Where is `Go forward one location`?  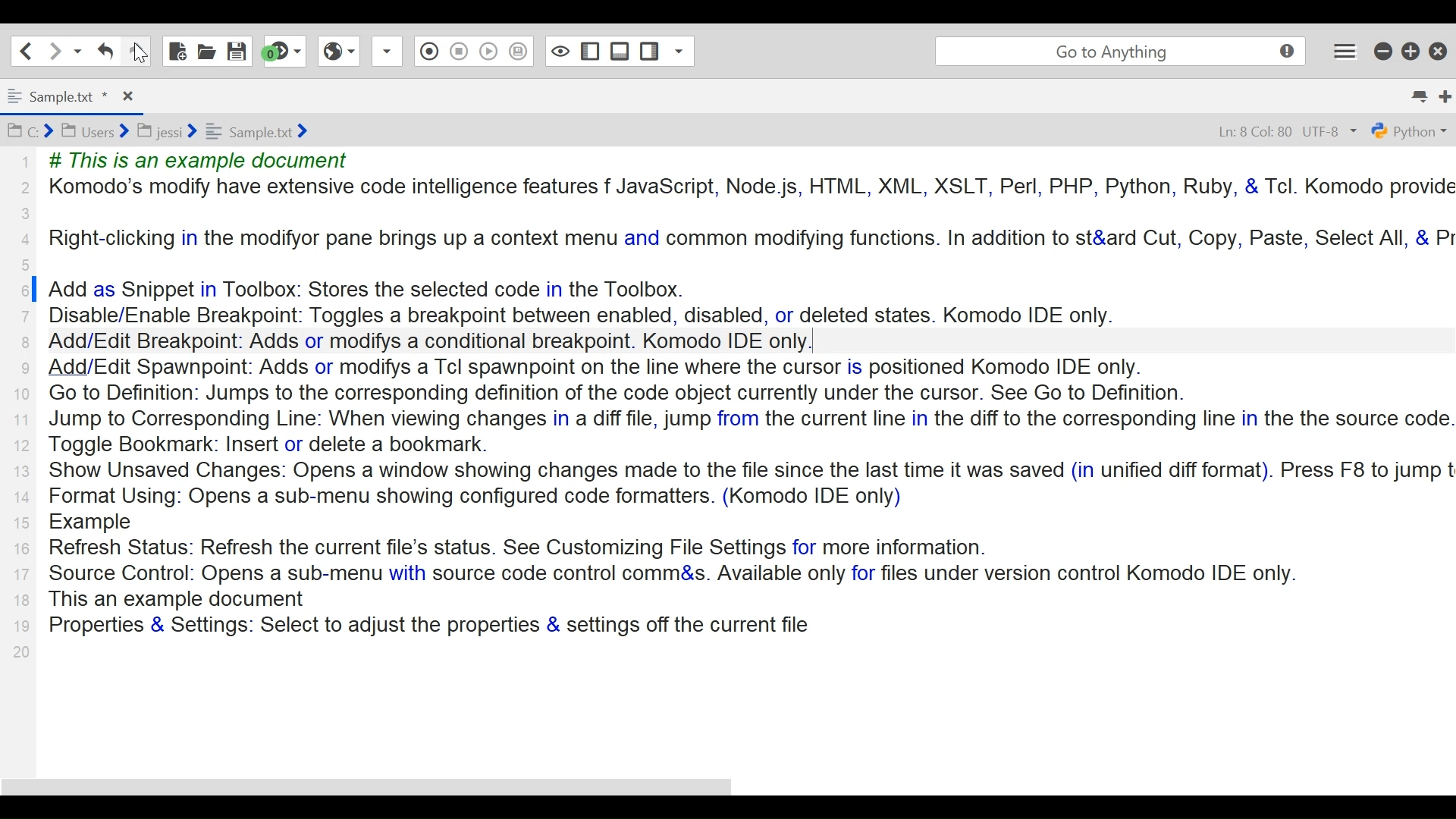
Go forward one location is located at coordinates (52, 50).